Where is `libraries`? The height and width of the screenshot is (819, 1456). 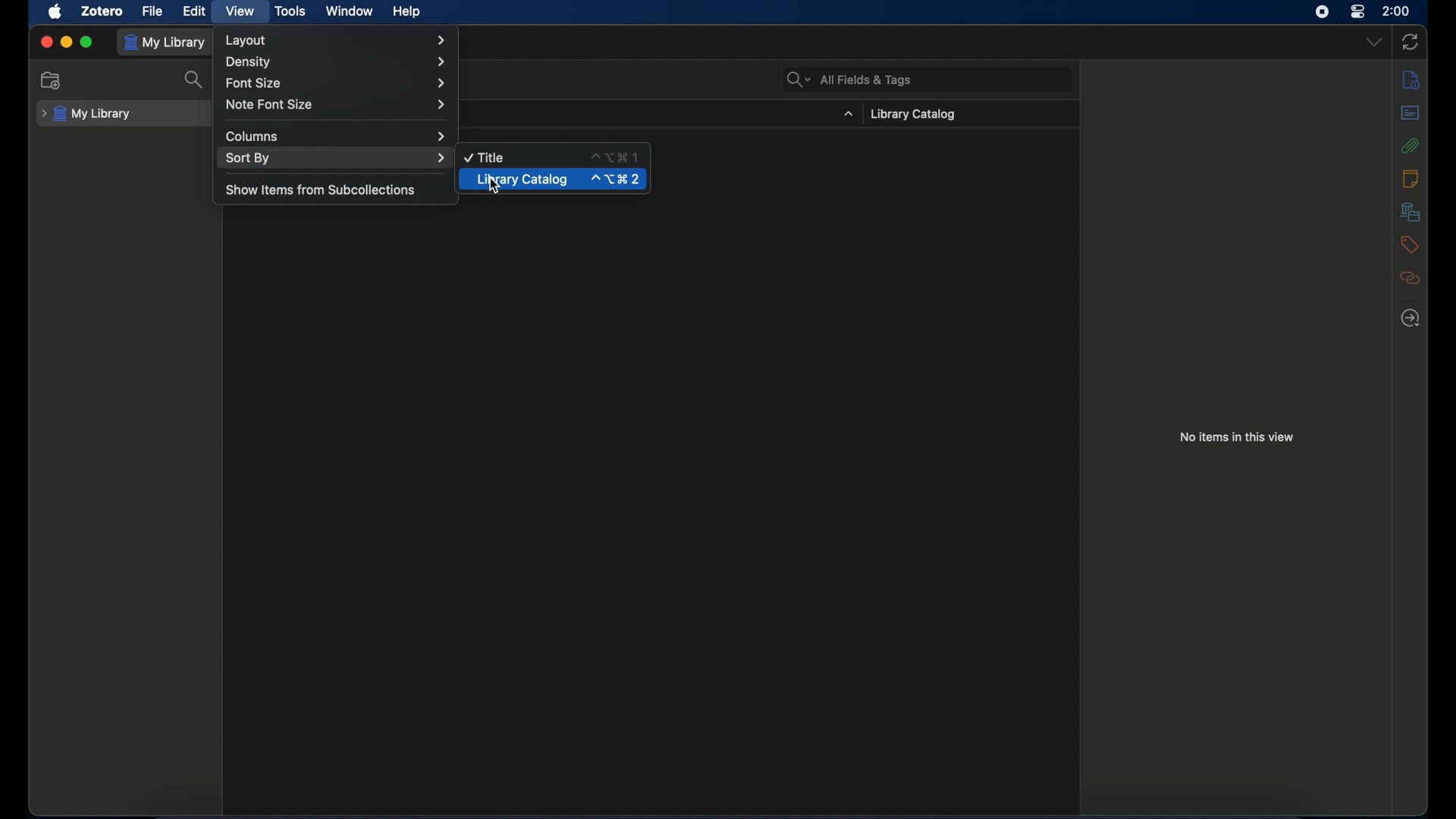
libraries is located at coordinates (1411, 213).